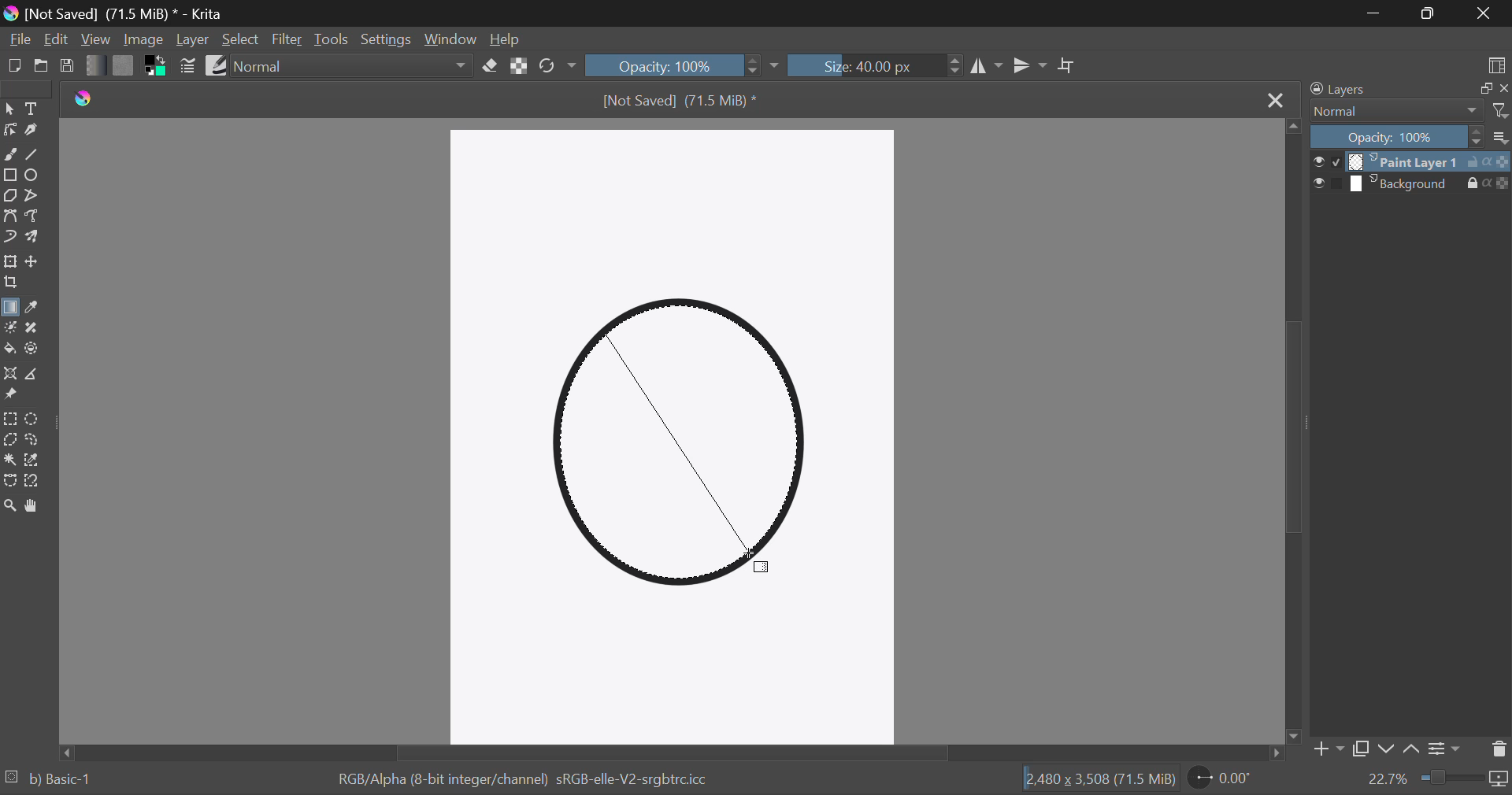  What do you see at coordinates (11, 459) in the screenshot?
I see `Continuous Selection` at bounding box center [11, 459].